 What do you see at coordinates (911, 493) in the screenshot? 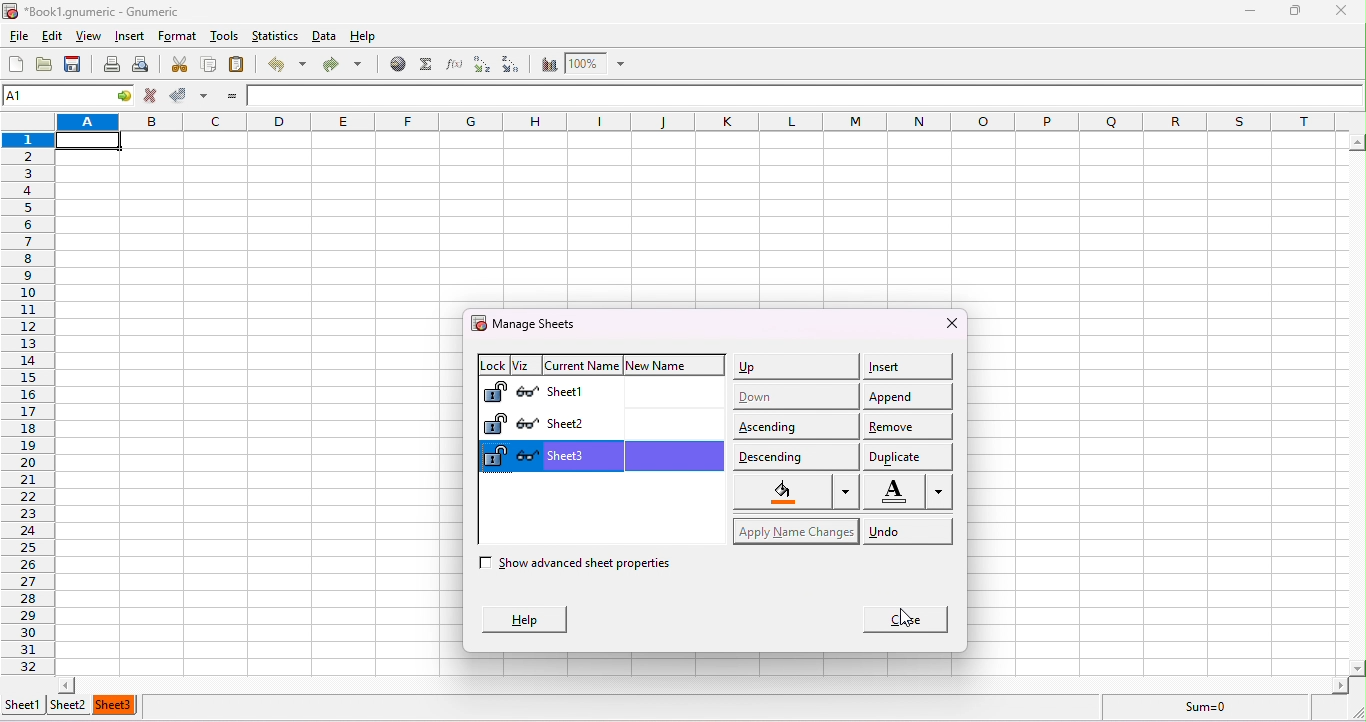
I see `Font color` at bounding box center [911, 493].